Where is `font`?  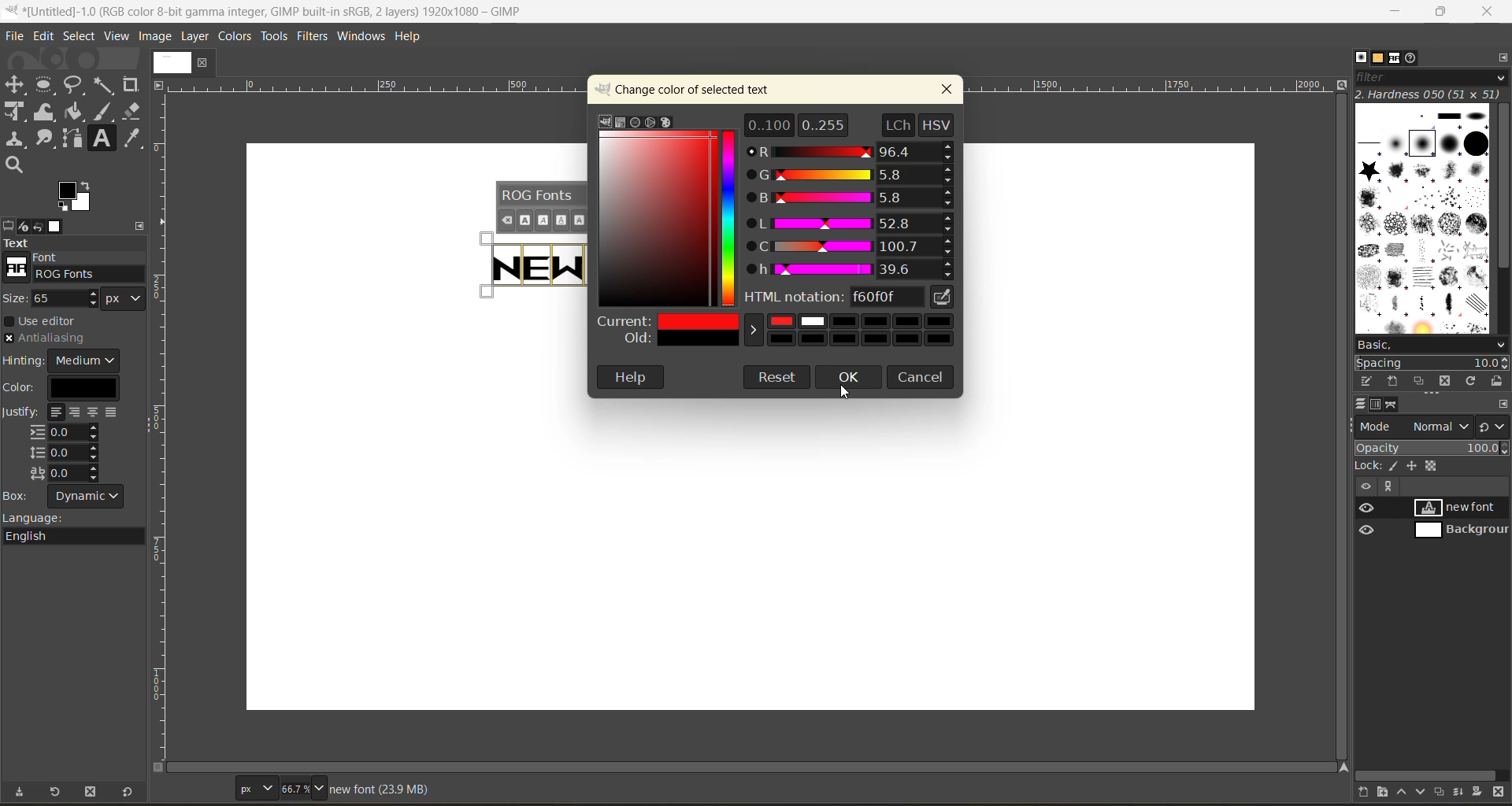
font is located at coordinates (76, 272).